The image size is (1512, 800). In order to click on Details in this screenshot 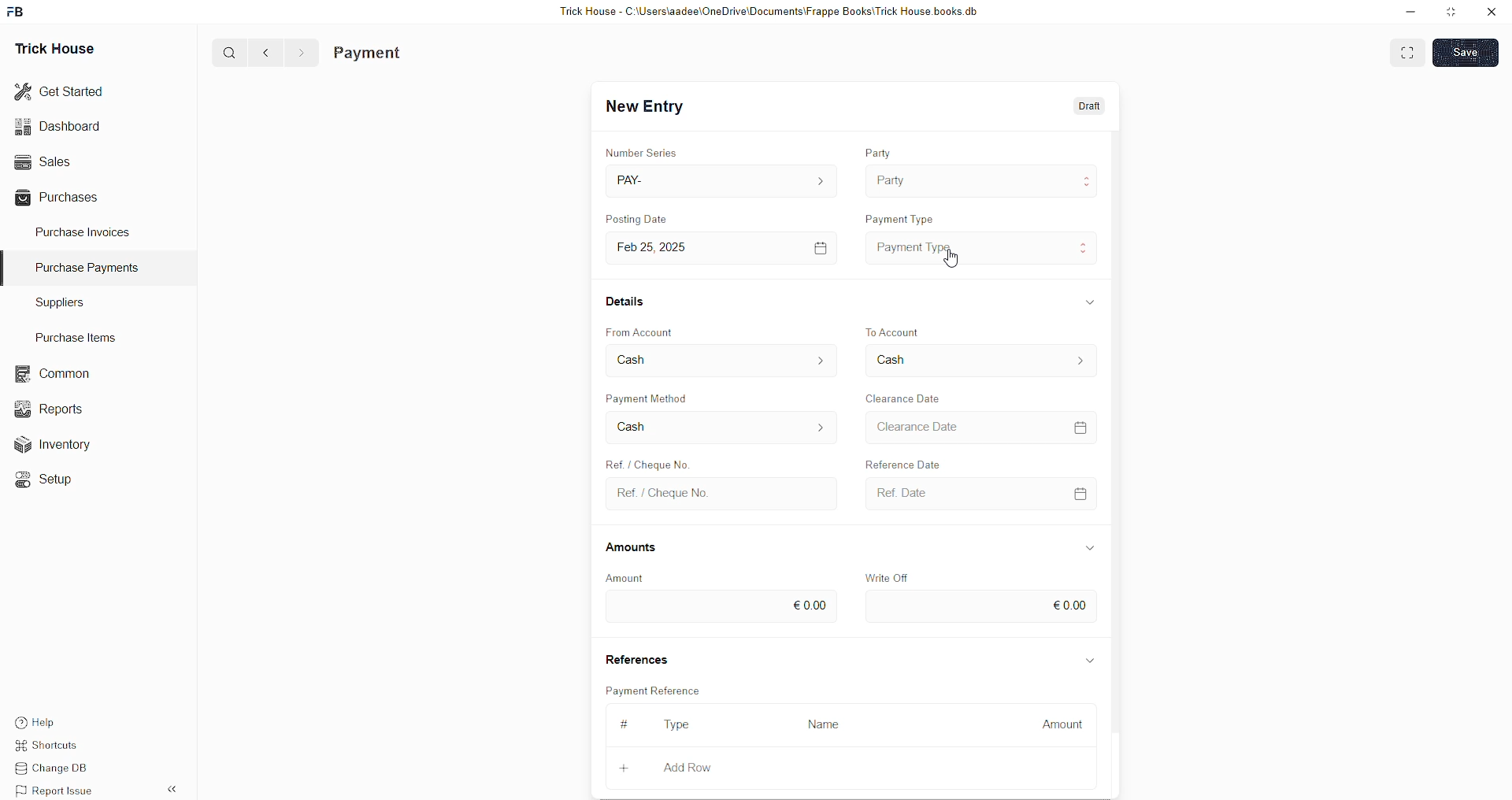, I will do `click(628, 300)`.